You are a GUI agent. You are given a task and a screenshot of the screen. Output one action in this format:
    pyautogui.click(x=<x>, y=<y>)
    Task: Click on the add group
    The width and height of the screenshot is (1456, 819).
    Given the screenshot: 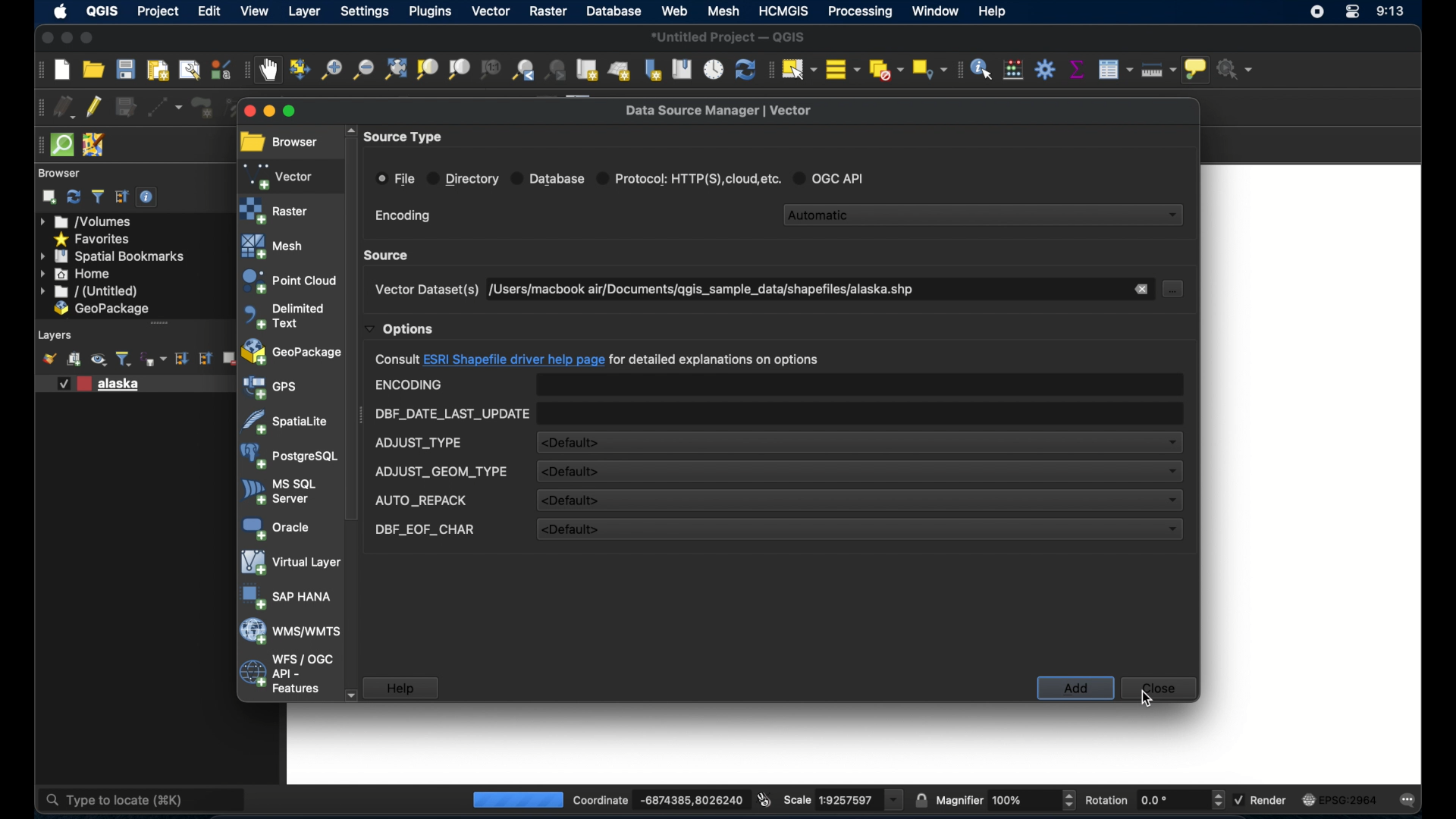 What is the action you would take?
    pyautogui.click(x=74, y=360)
    